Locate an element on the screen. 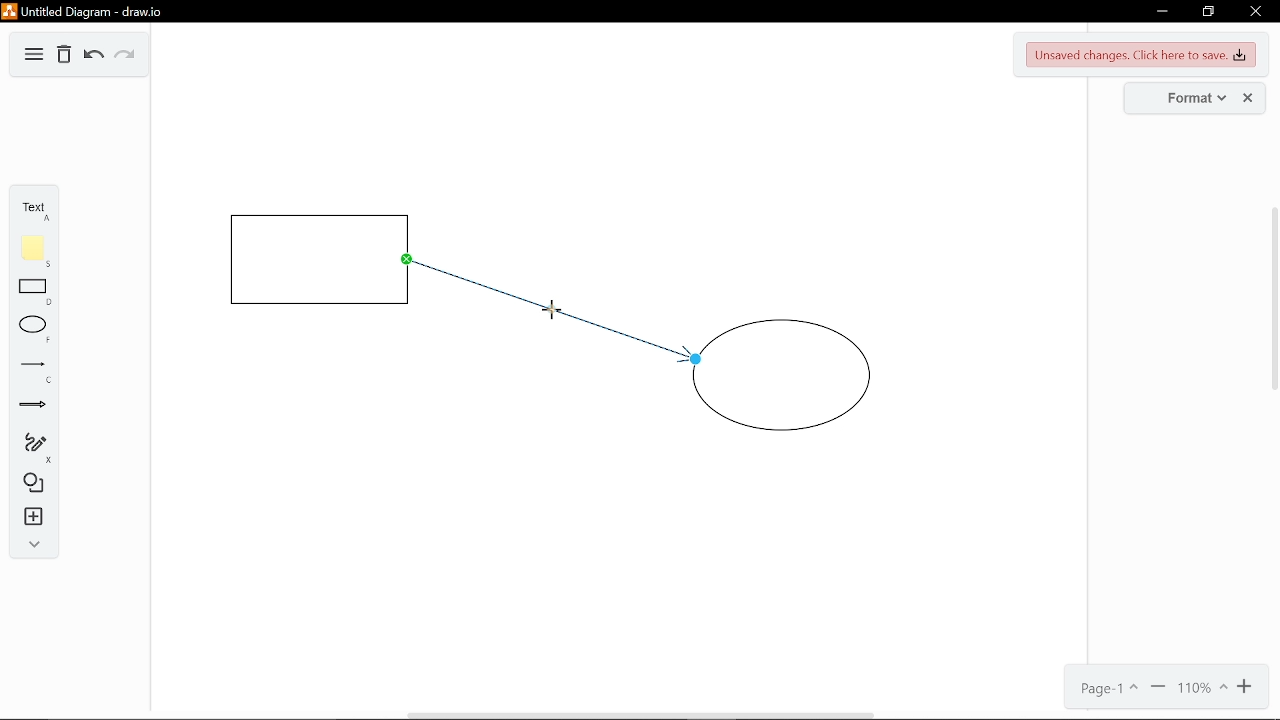  Circle shape is located at coordinates (787, 380).